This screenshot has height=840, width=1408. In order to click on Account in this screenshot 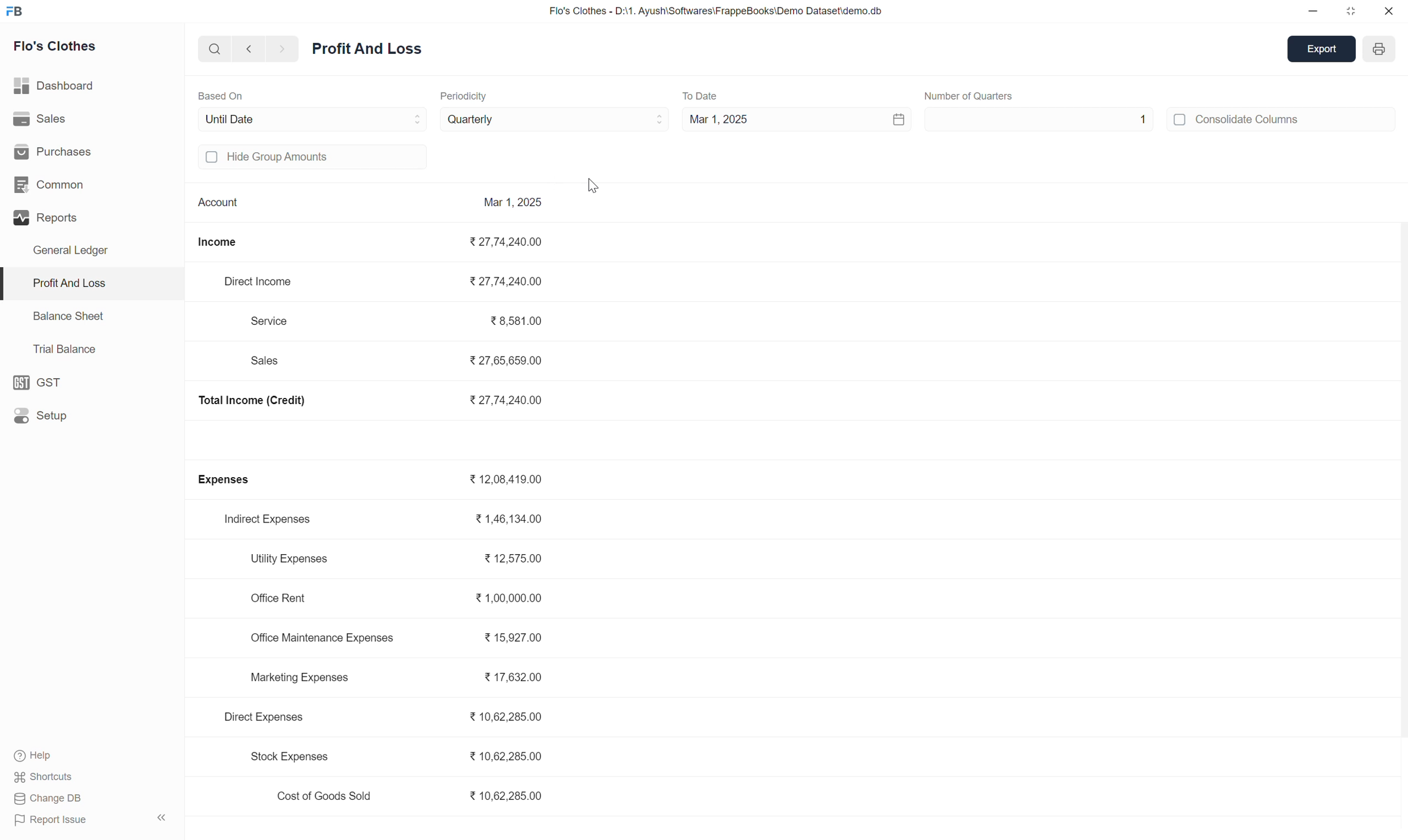, I will do `click(216, 200)`.